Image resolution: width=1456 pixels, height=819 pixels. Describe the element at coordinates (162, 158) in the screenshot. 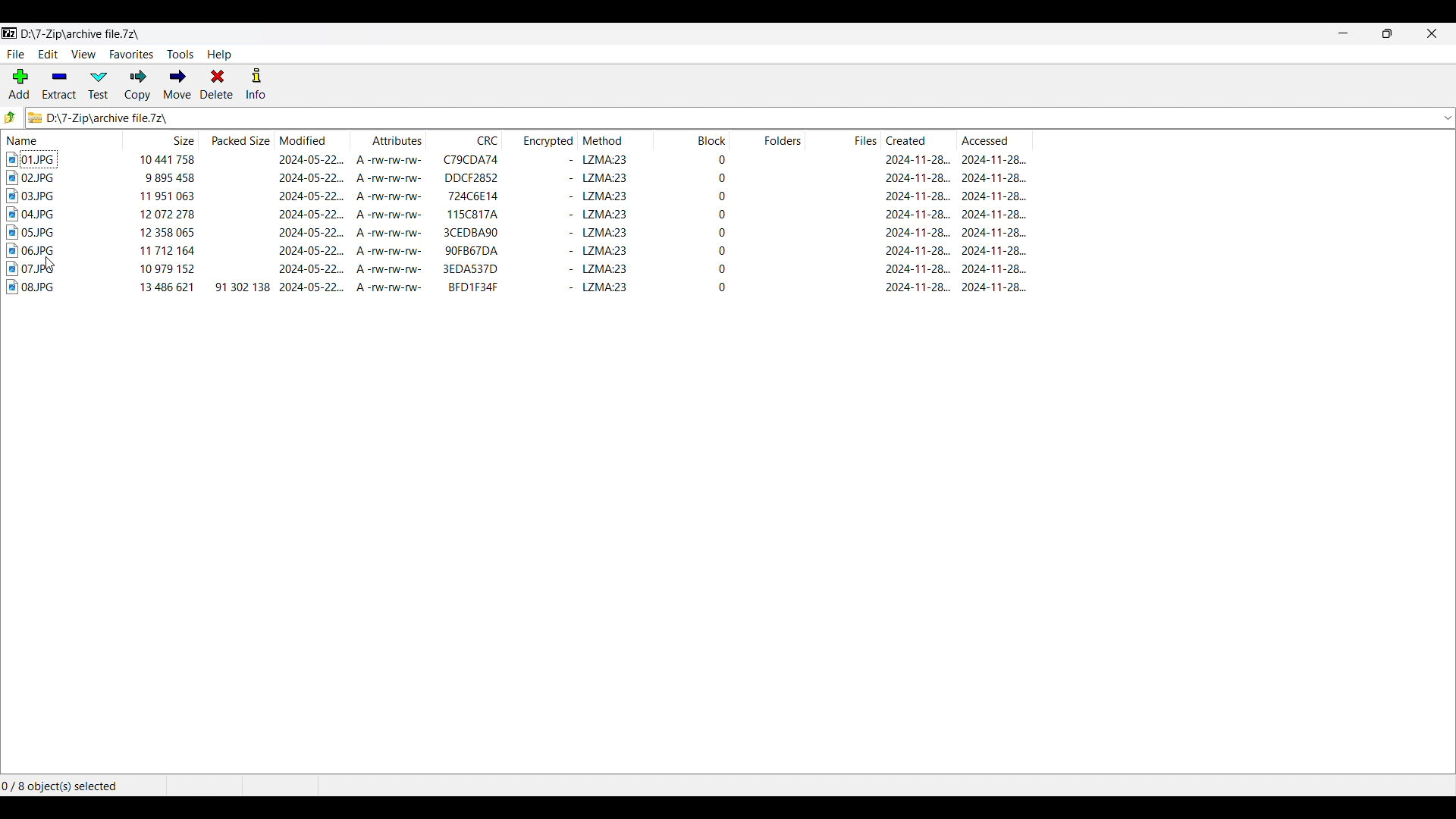

I see `size` at that location.